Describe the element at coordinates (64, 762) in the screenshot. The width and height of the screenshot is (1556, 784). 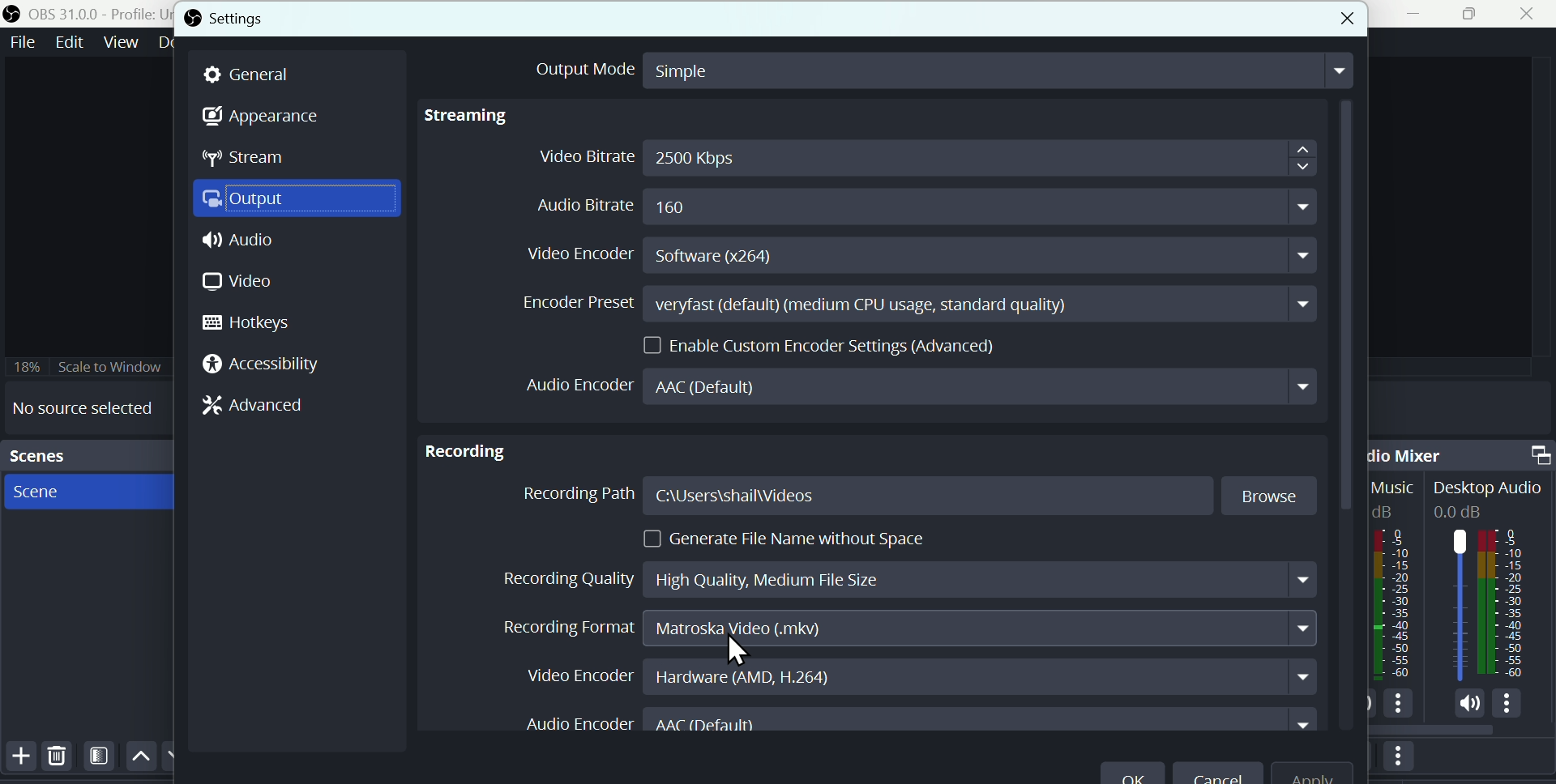
I see `Delete` at that location.